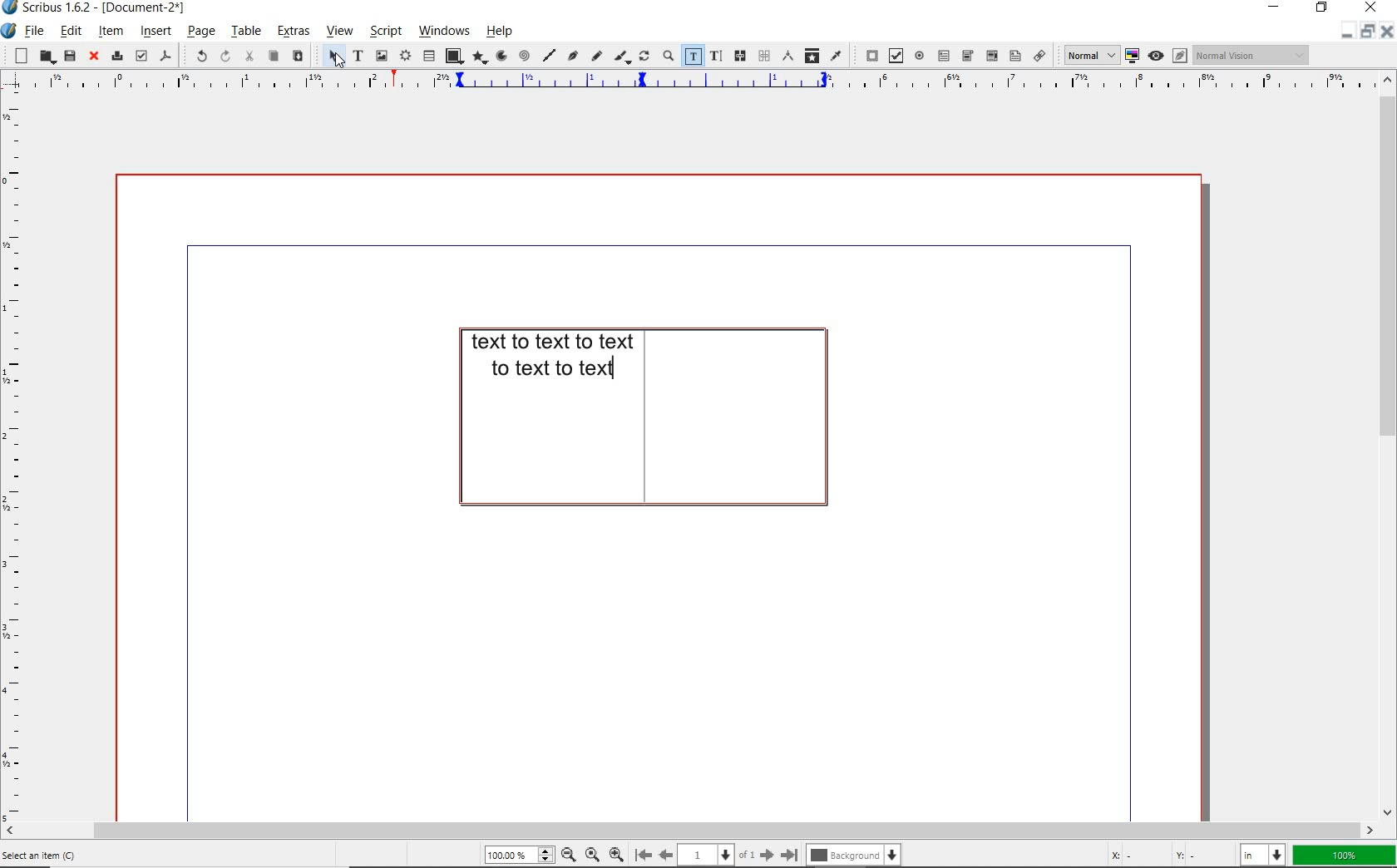 The height and width of the screenshot is (868, 1397). What do you see at coordinates (545, 353) in the screenshot?
I see `TEXT` at bounding box center [545, 353].